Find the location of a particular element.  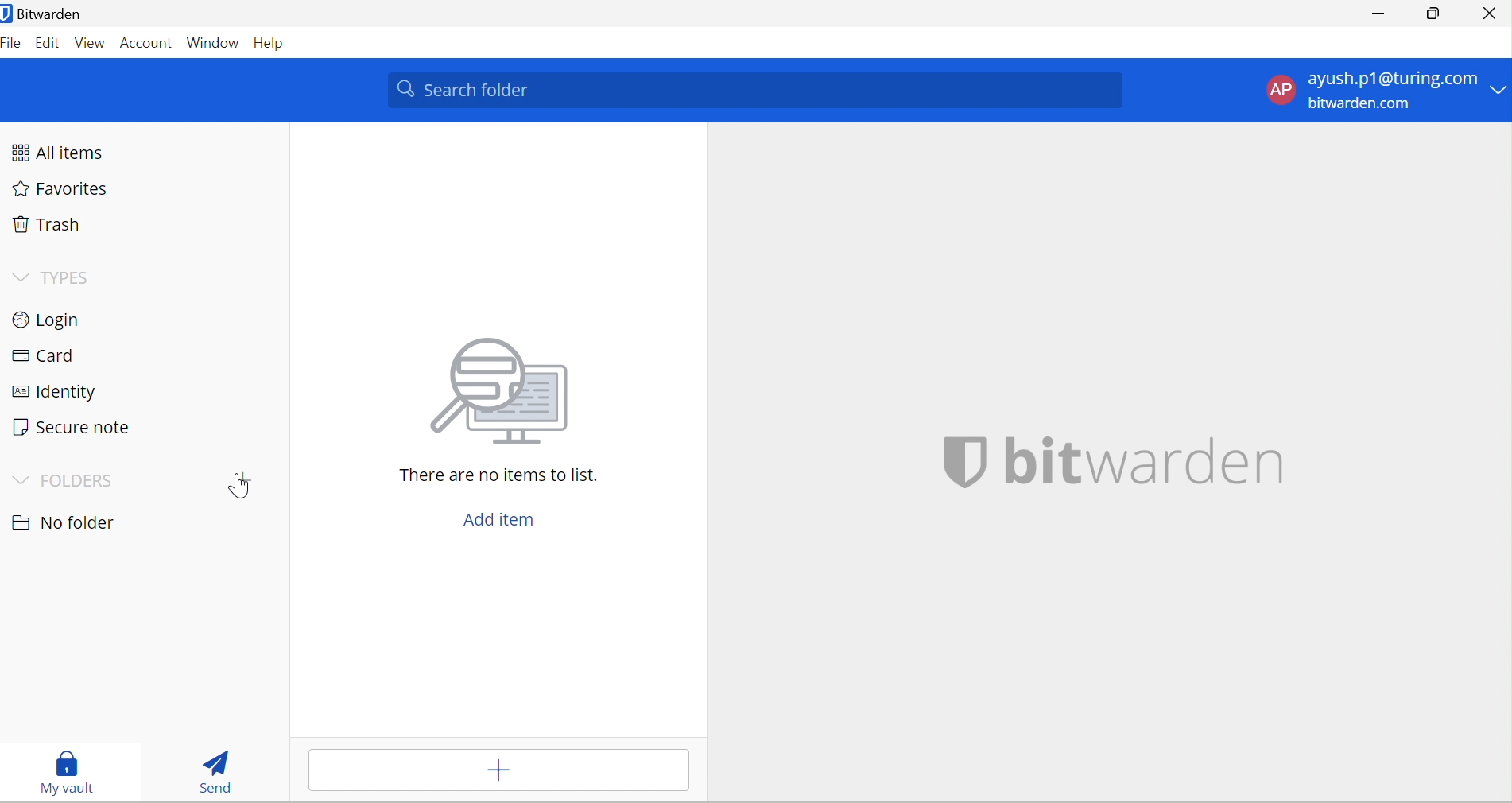

No Folder is located at coordinates (69, 523).